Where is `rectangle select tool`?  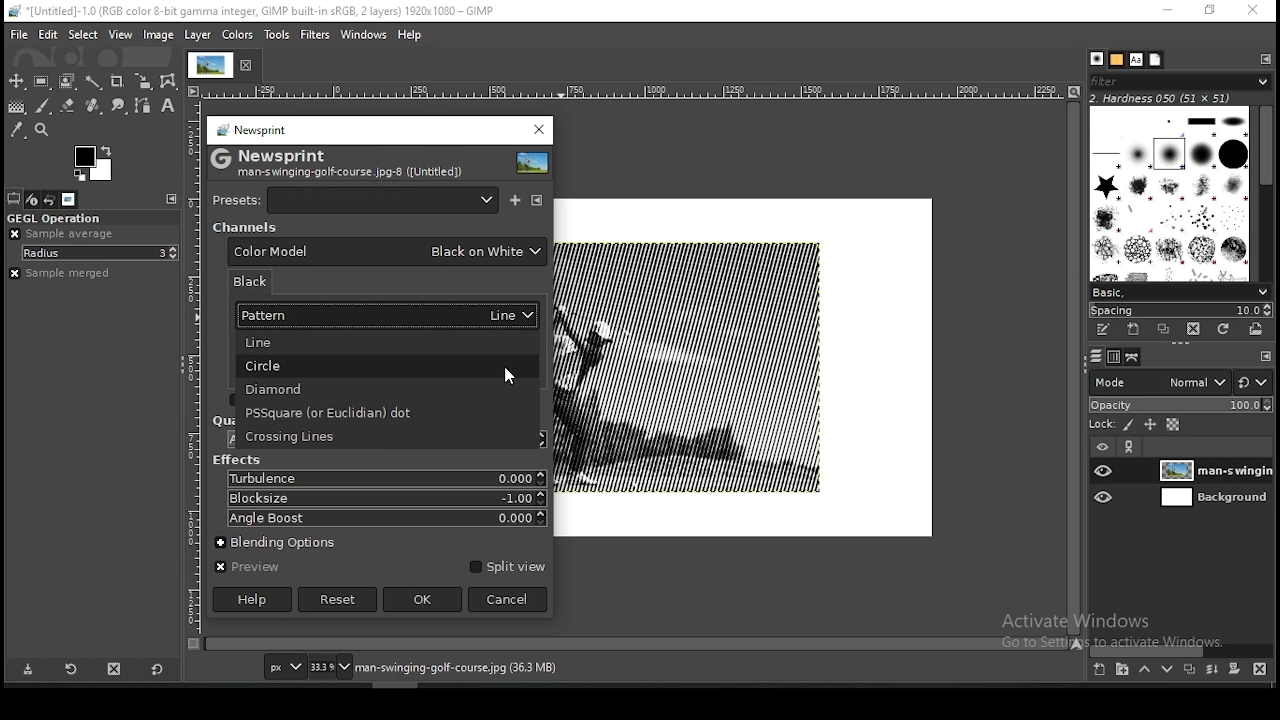 rectangle select tool is located at coordinates (42, 82).